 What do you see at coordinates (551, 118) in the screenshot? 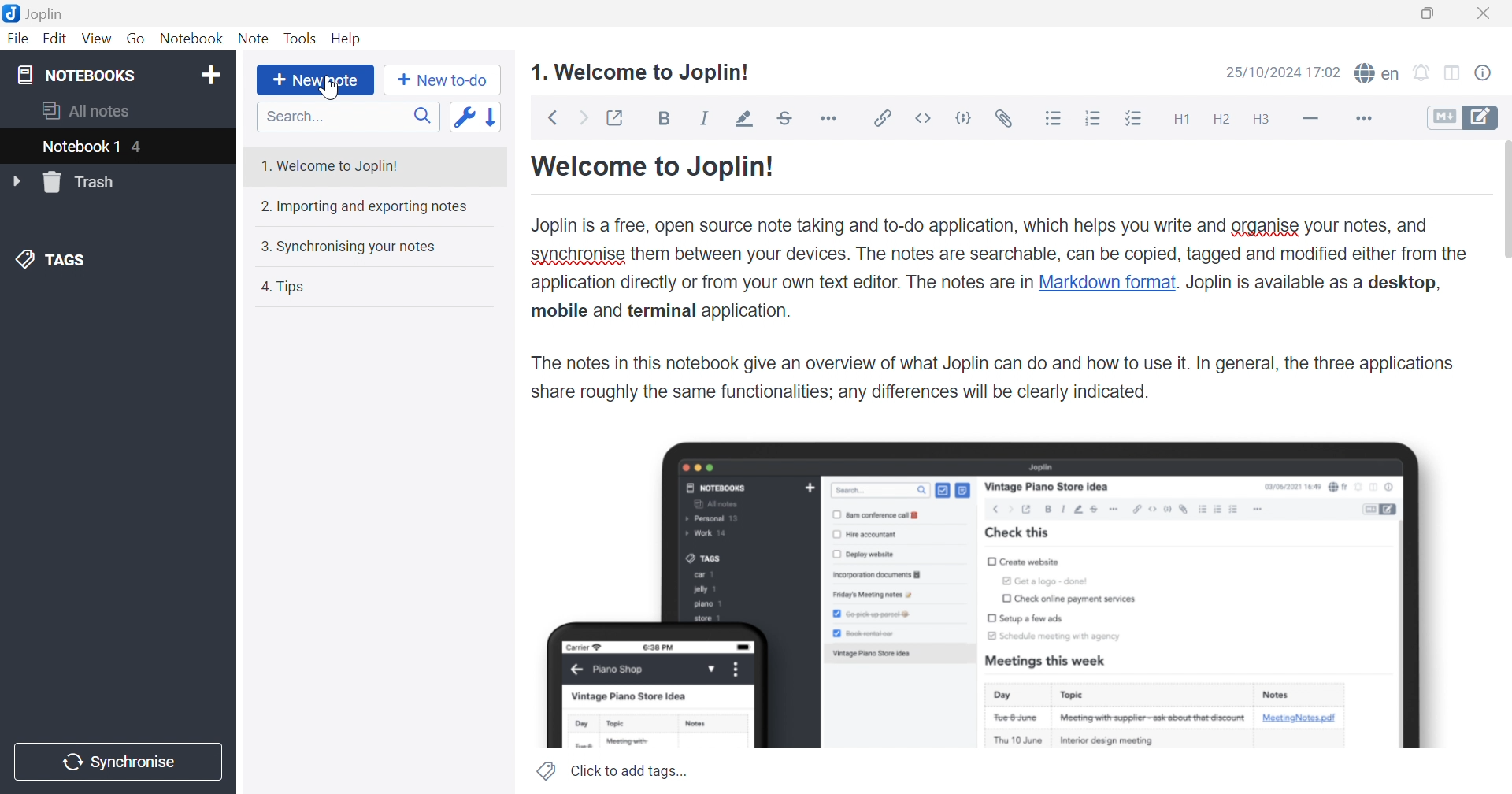
I see `Back` at bounding box center [551, 118].